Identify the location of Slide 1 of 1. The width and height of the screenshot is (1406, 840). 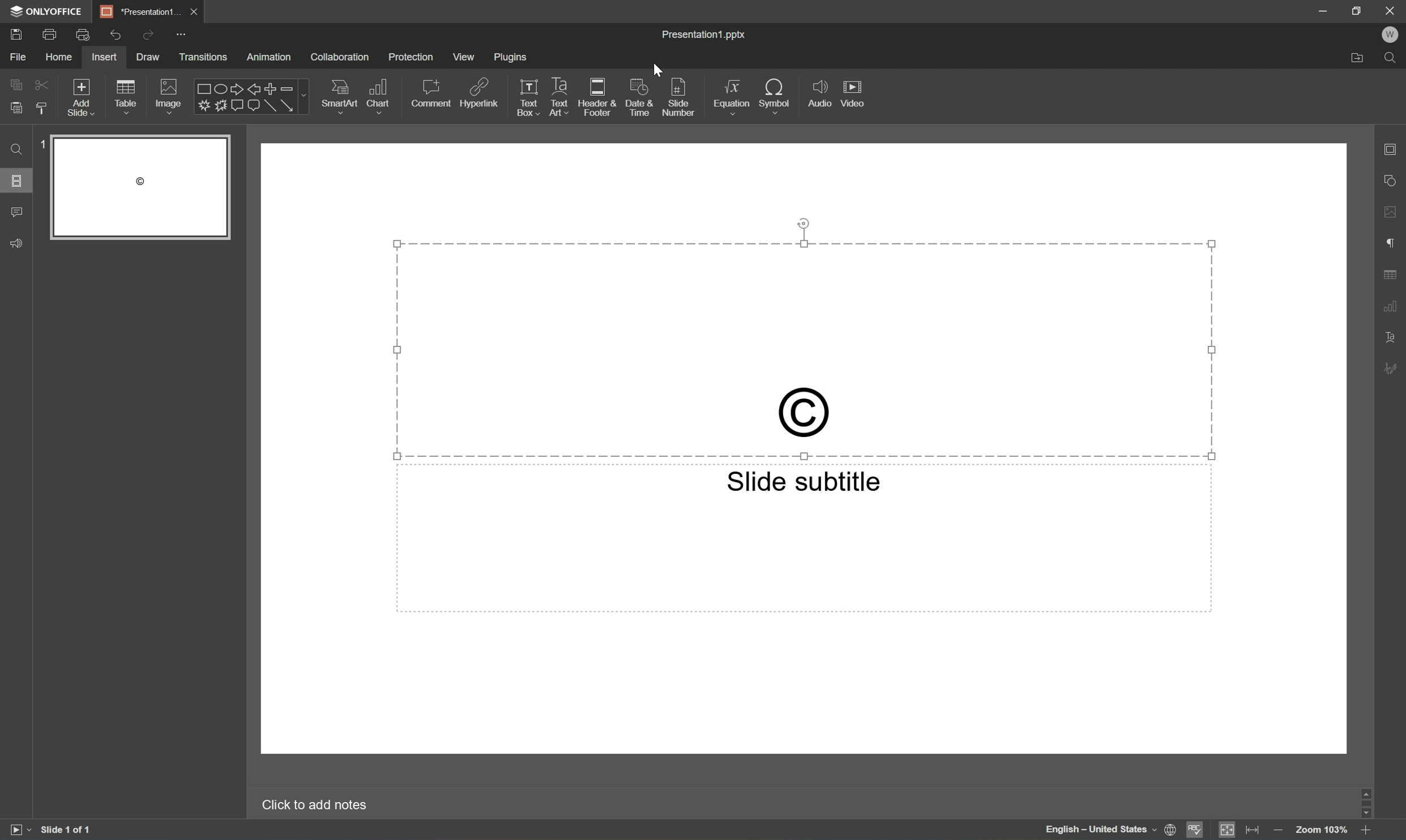
(79, 826).